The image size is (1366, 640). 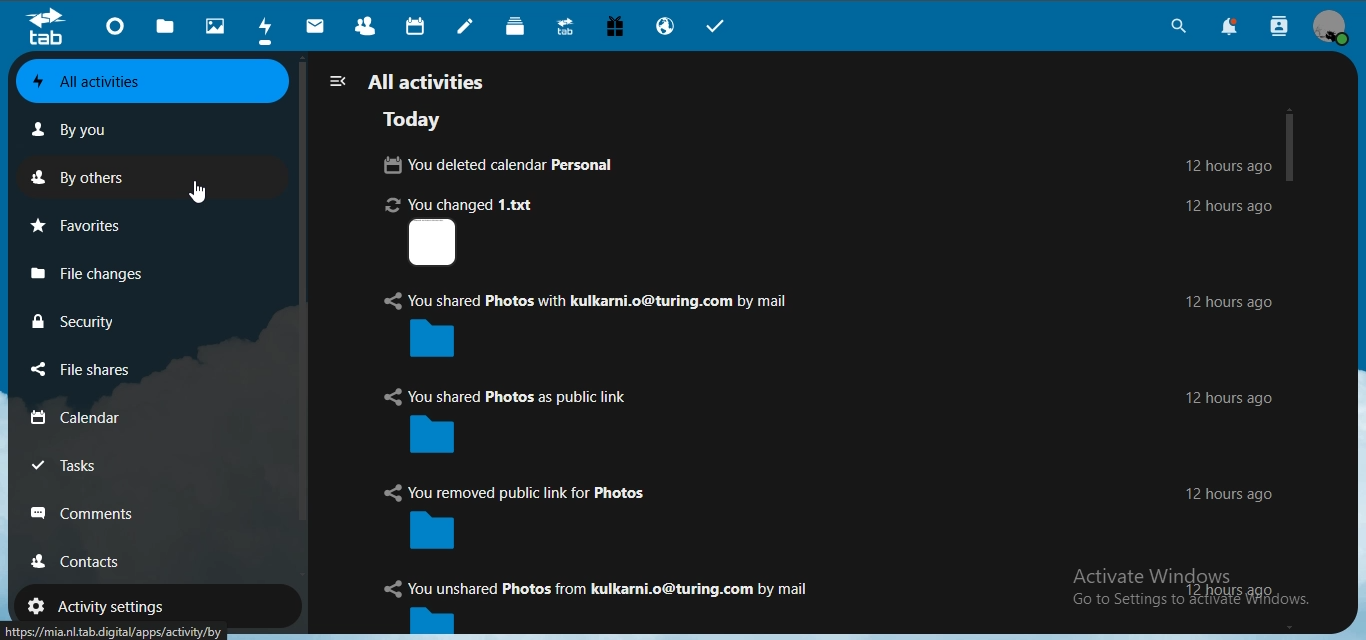 I want to click on security, so click(x=78, y=320).